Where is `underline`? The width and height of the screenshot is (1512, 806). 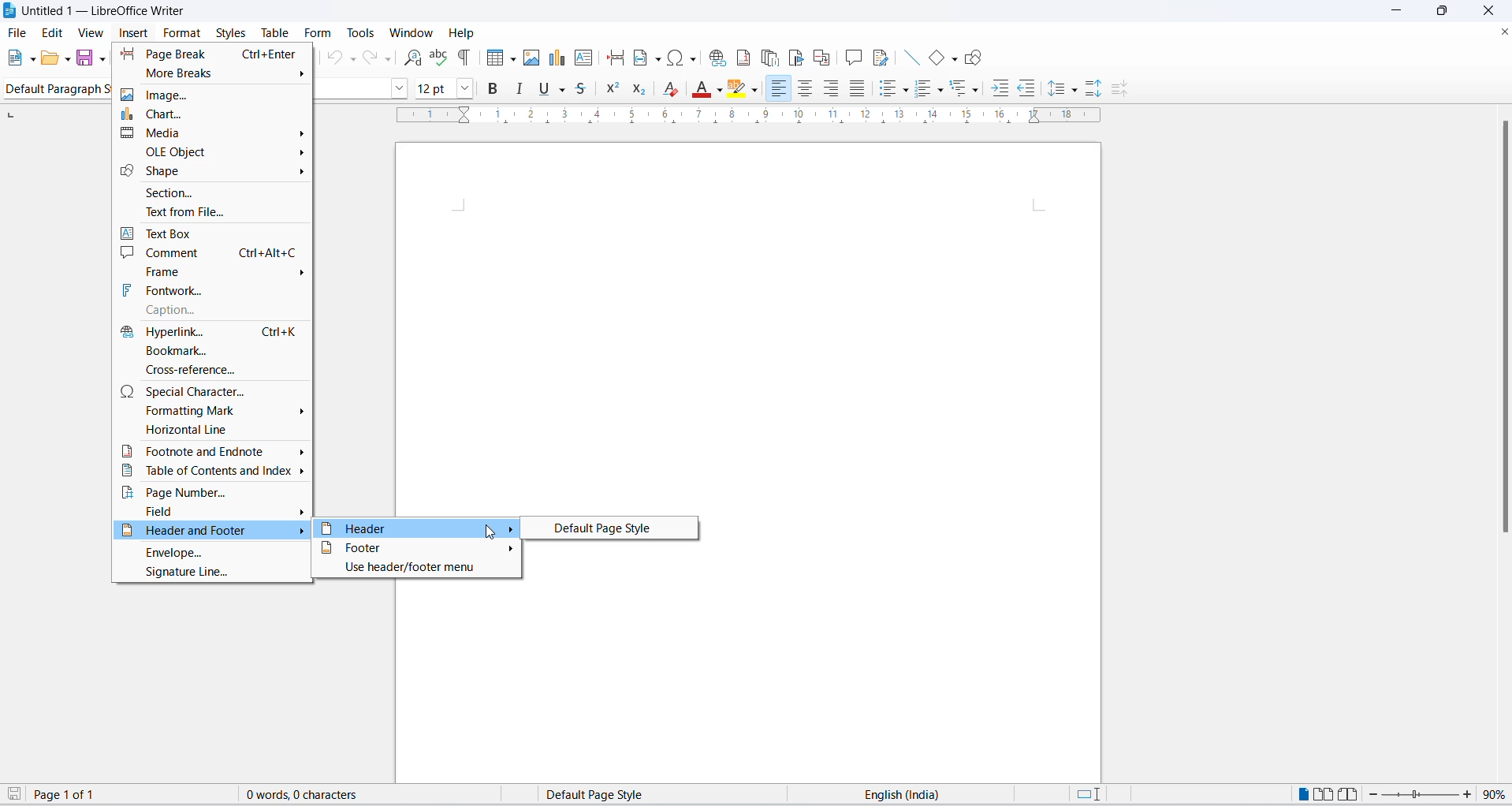
underline is located at coordinates (543, 91).